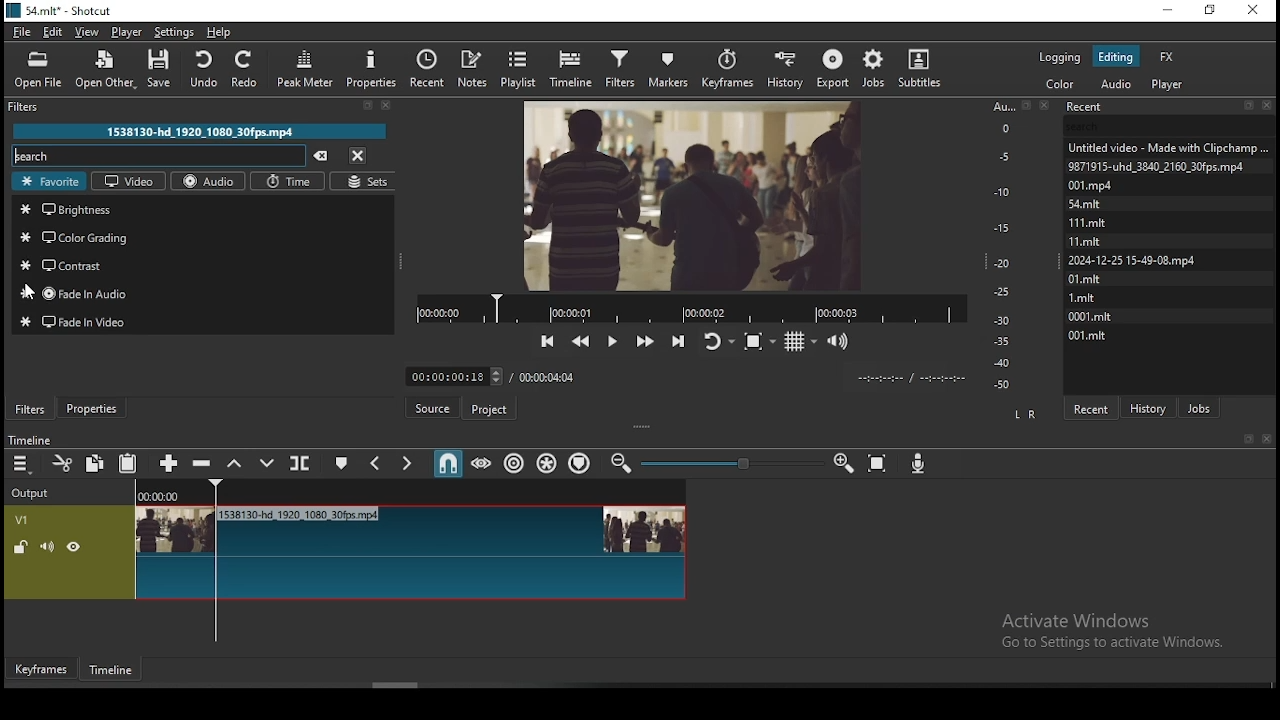  What do you see at coordinates (621, 464) in the screenshot?
I see `zoom timeline in` at bounding box center [621, 464].